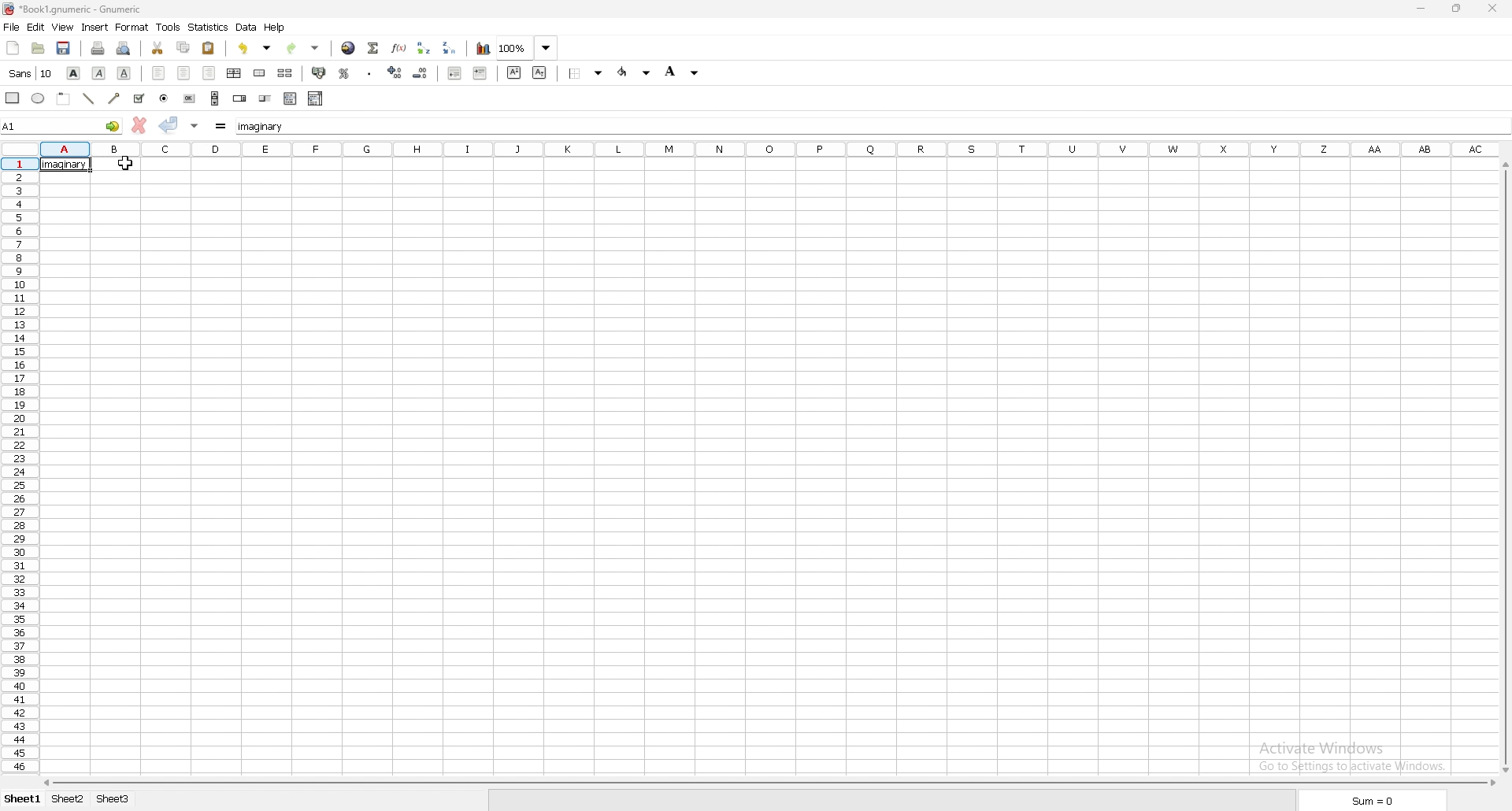 The width and height of the screenshot is (1512, 811). I want to click on cancel change, so click(139, 126).